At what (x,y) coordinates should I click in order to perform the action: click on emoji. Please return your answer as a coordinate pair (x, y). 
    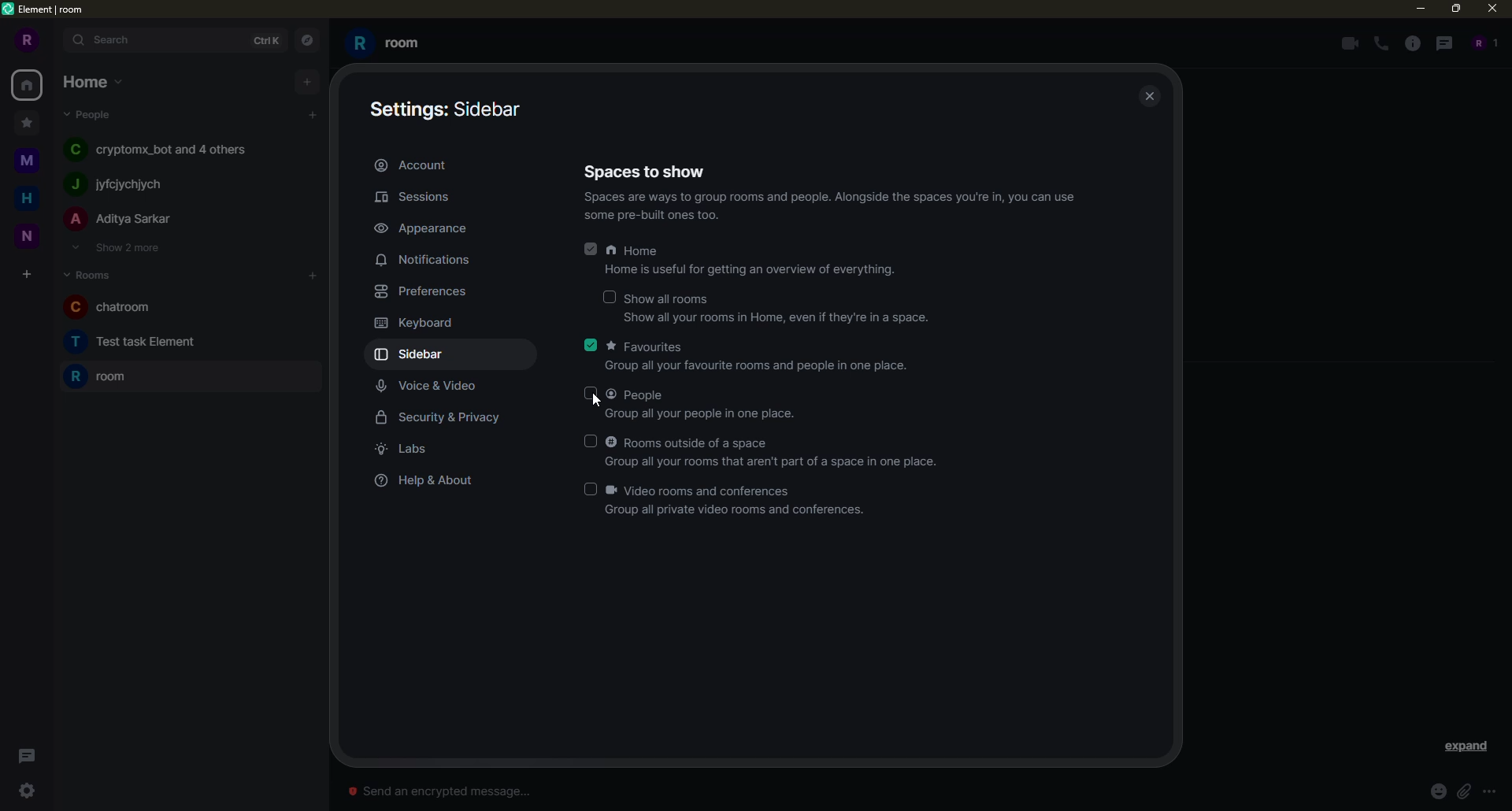
    Looking at the image, I should click on (1435, 791).